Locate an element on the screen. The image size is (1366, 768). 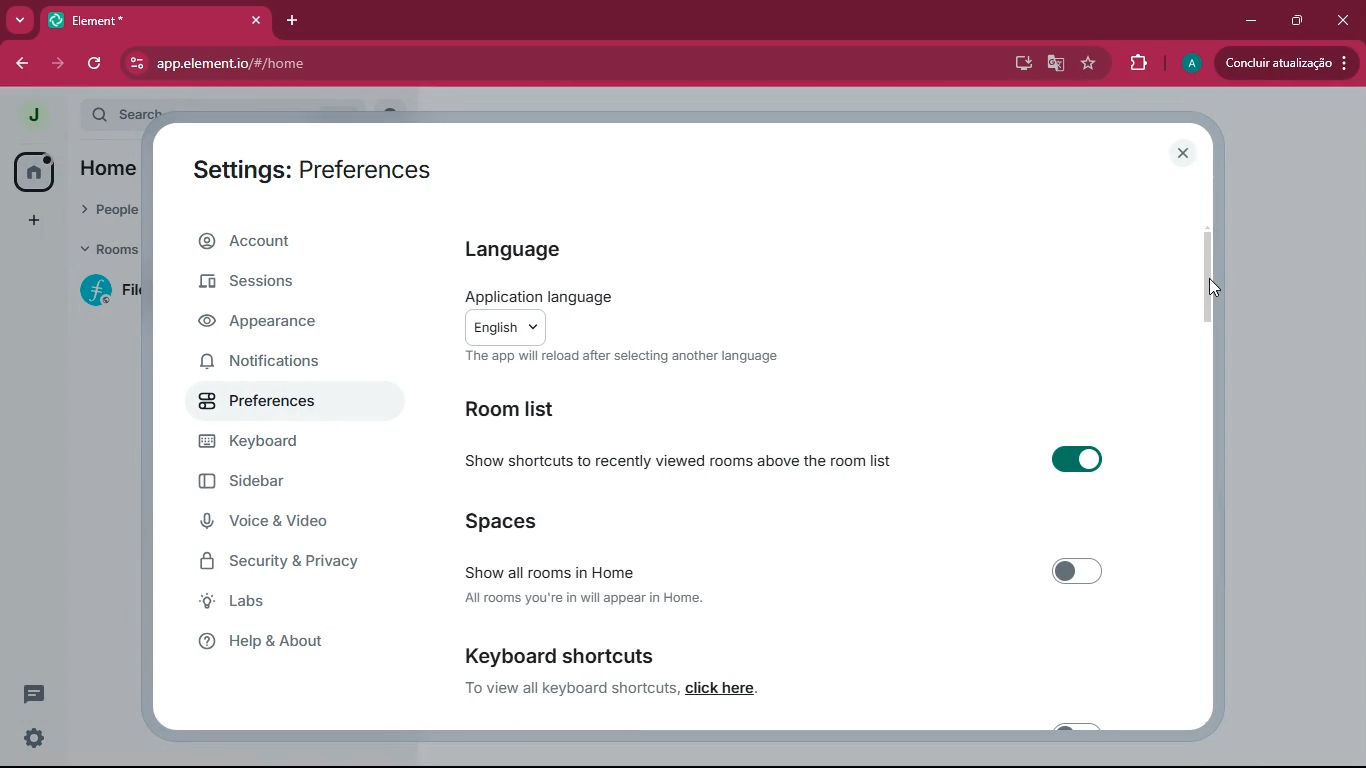
tab is located at coordinates (131, 20).